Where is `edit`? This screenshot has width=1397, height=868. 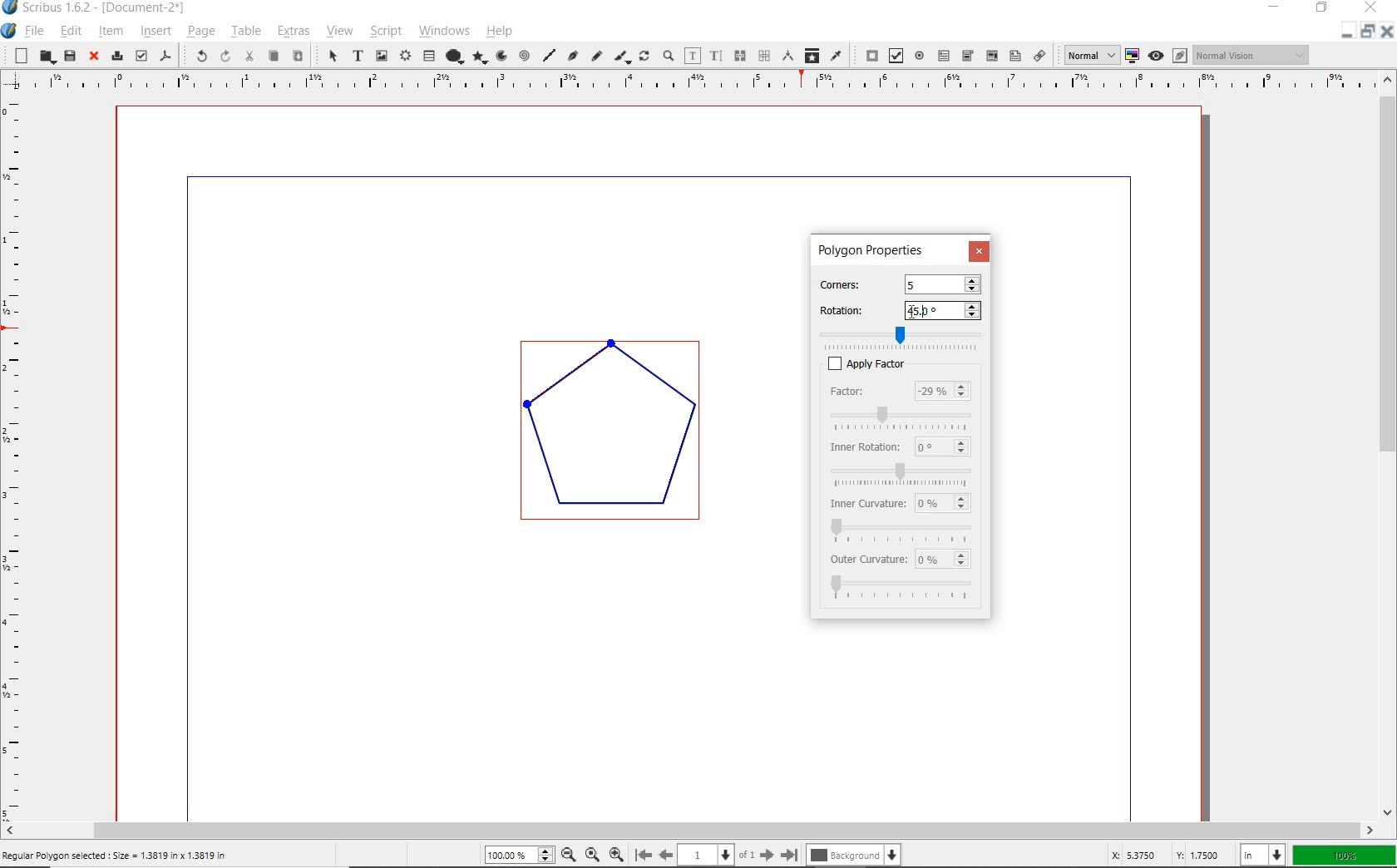
edit is located at coordinates (70, 30).